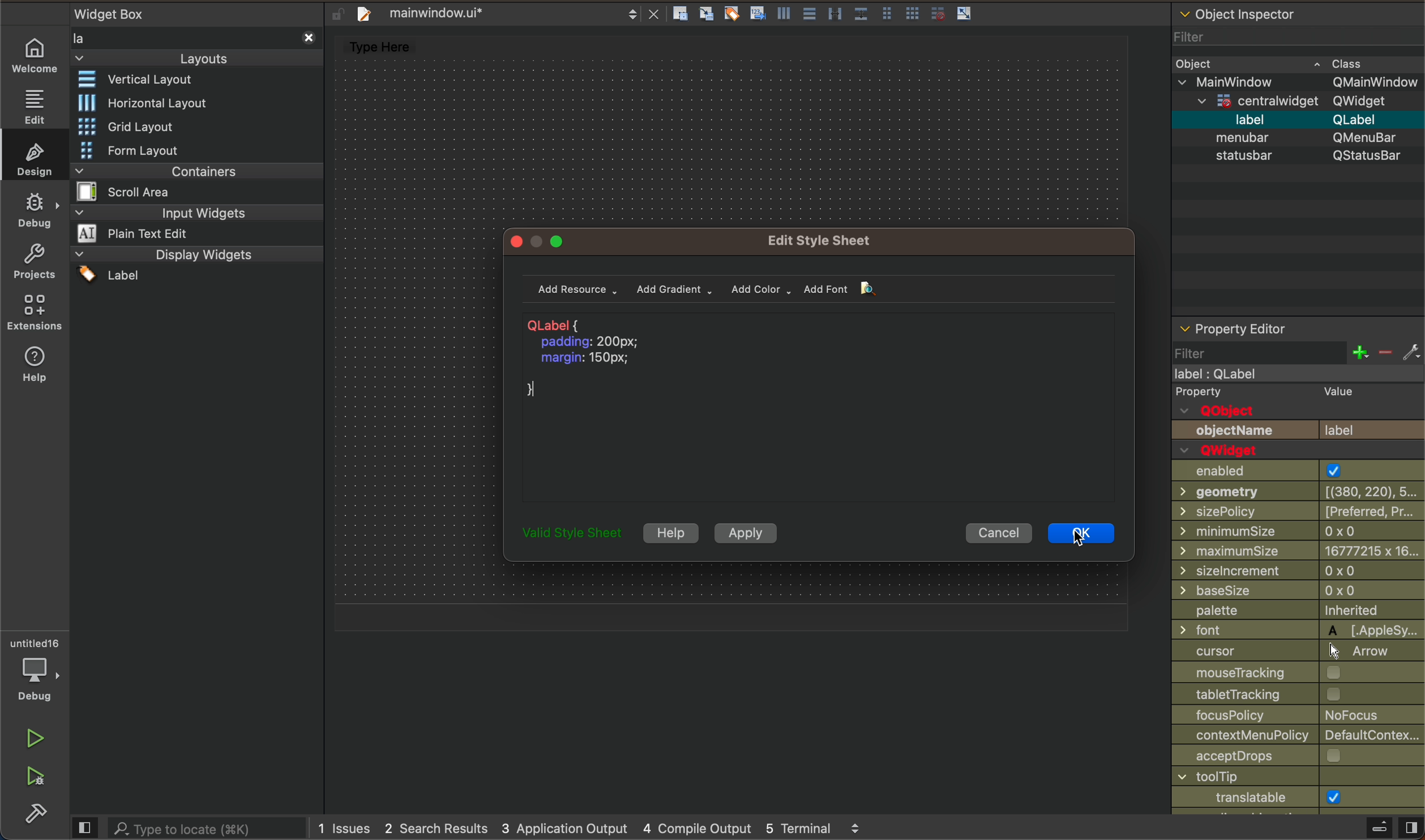 This screenshot has height=840, width=1425. What do you see at coordinates (147, 82) in the screenshot?
I see `widget layout` at bounding box center [147, 82].